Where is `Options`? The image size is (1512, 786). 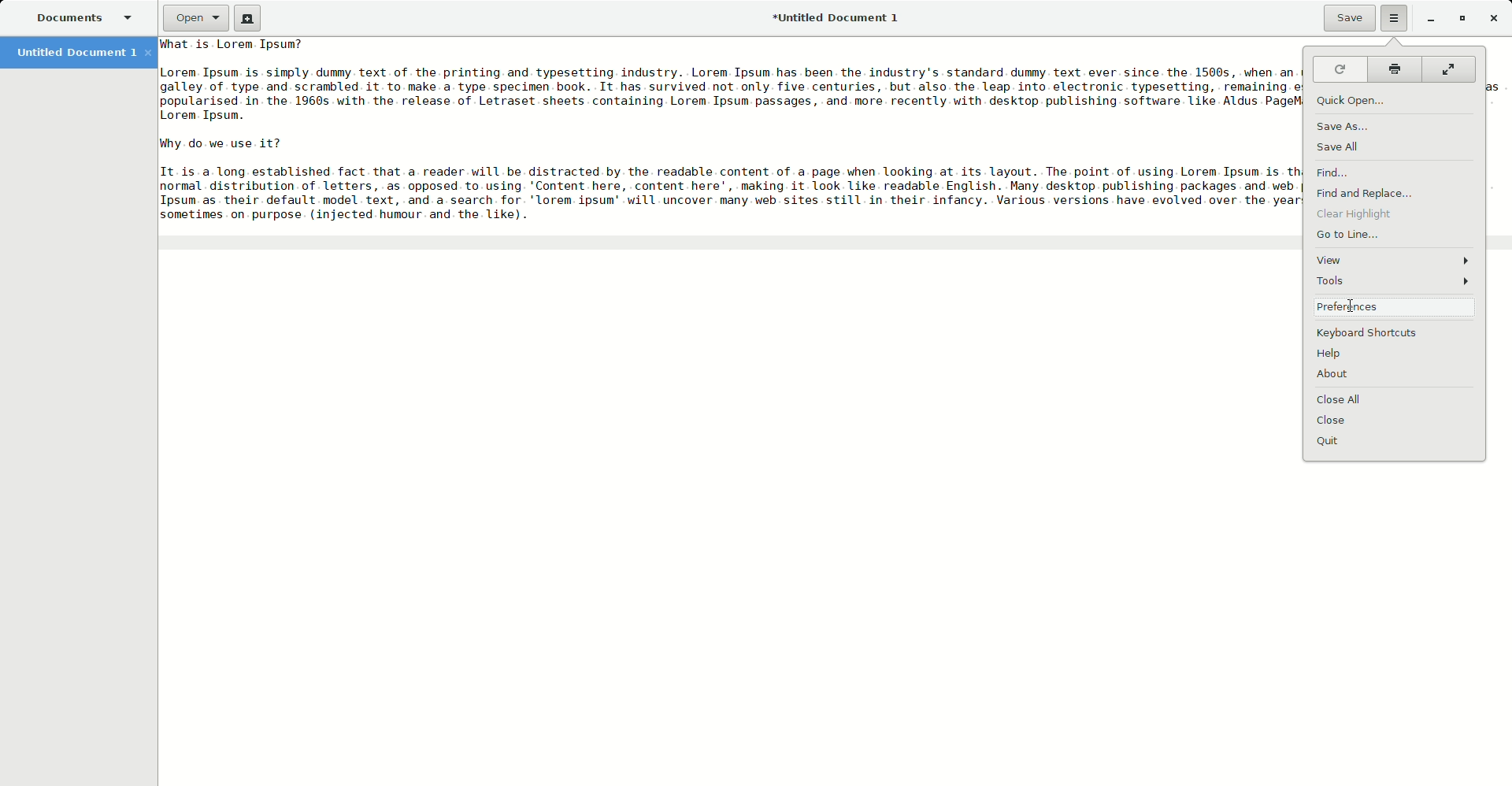
Options is located at coordinates (1394, 17).